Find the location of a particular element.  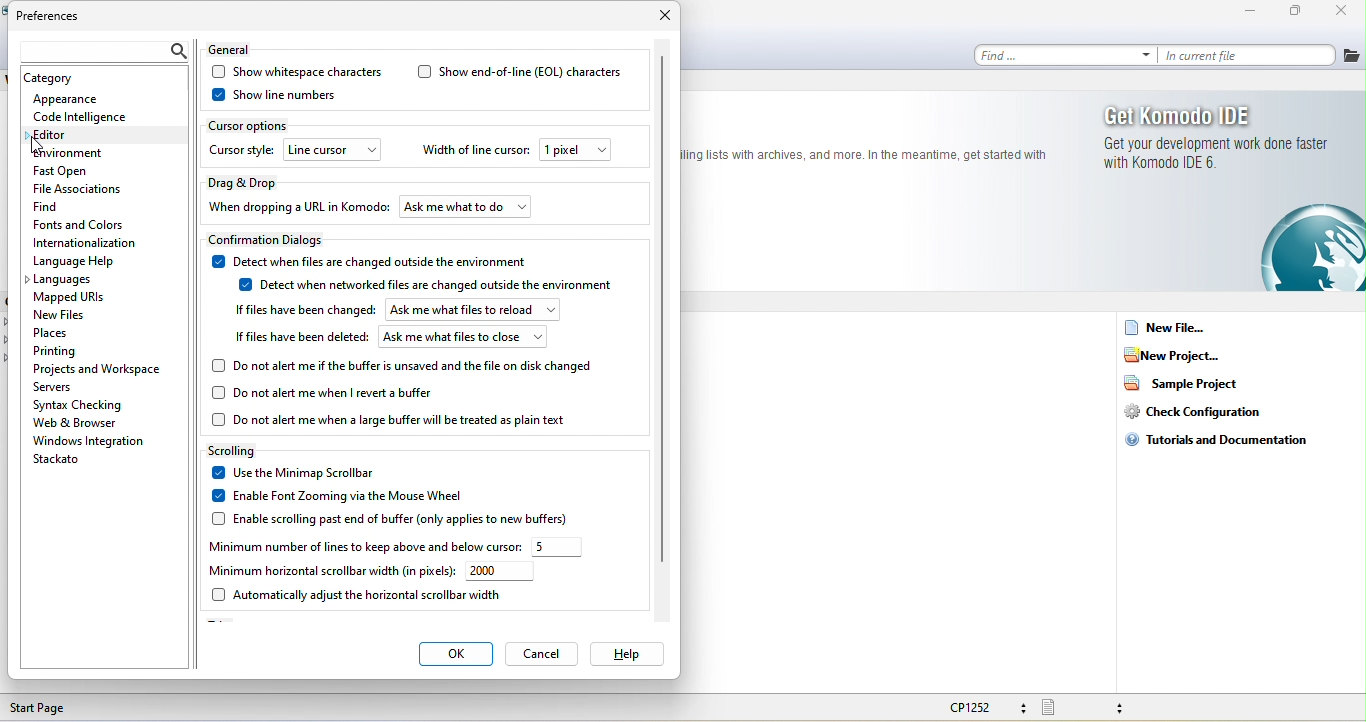

get komodo ide is located at coordinates (1214, 138).